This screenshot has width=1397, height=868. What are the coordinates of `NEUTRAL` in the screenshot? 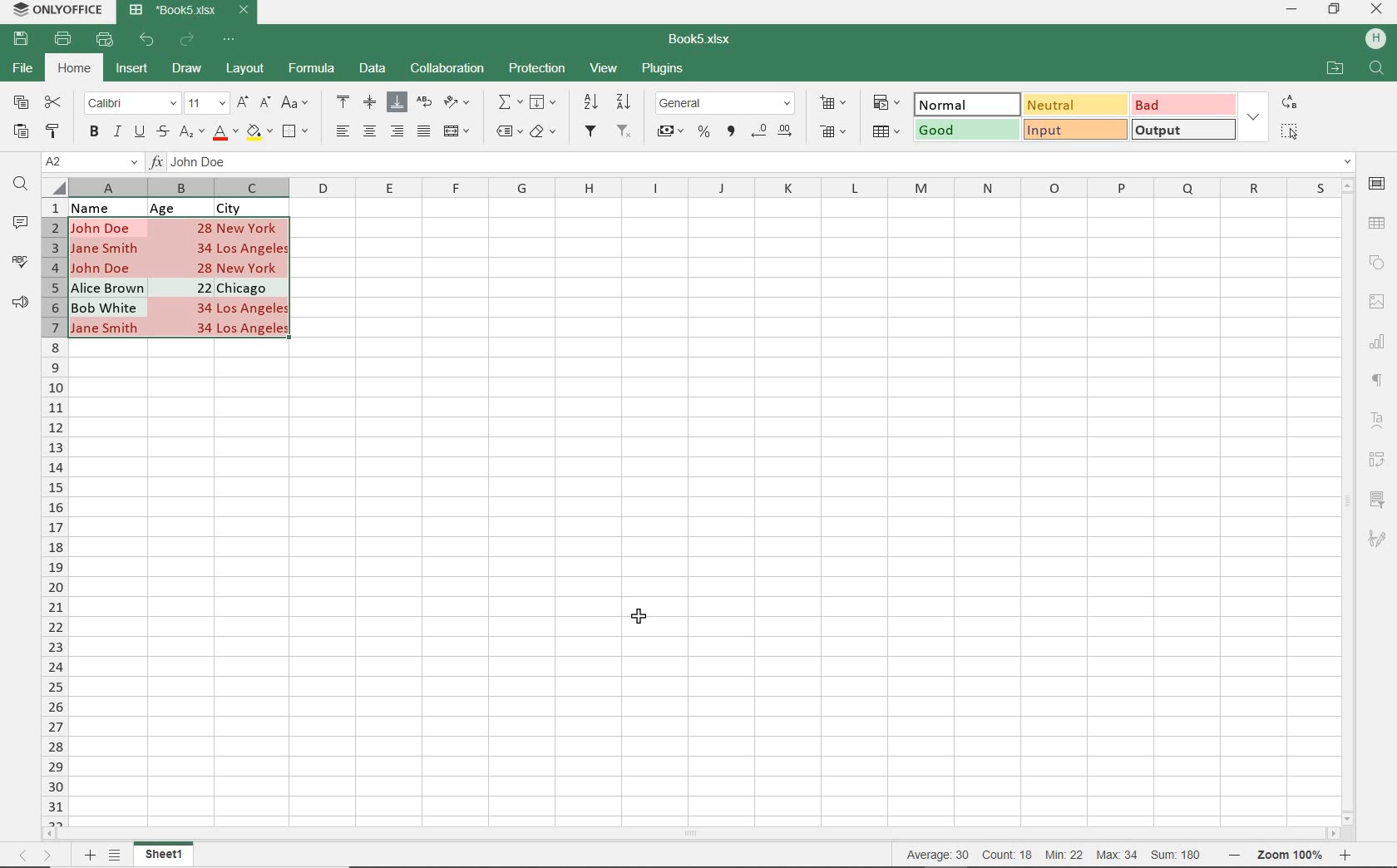 It's located at (1074, 104).